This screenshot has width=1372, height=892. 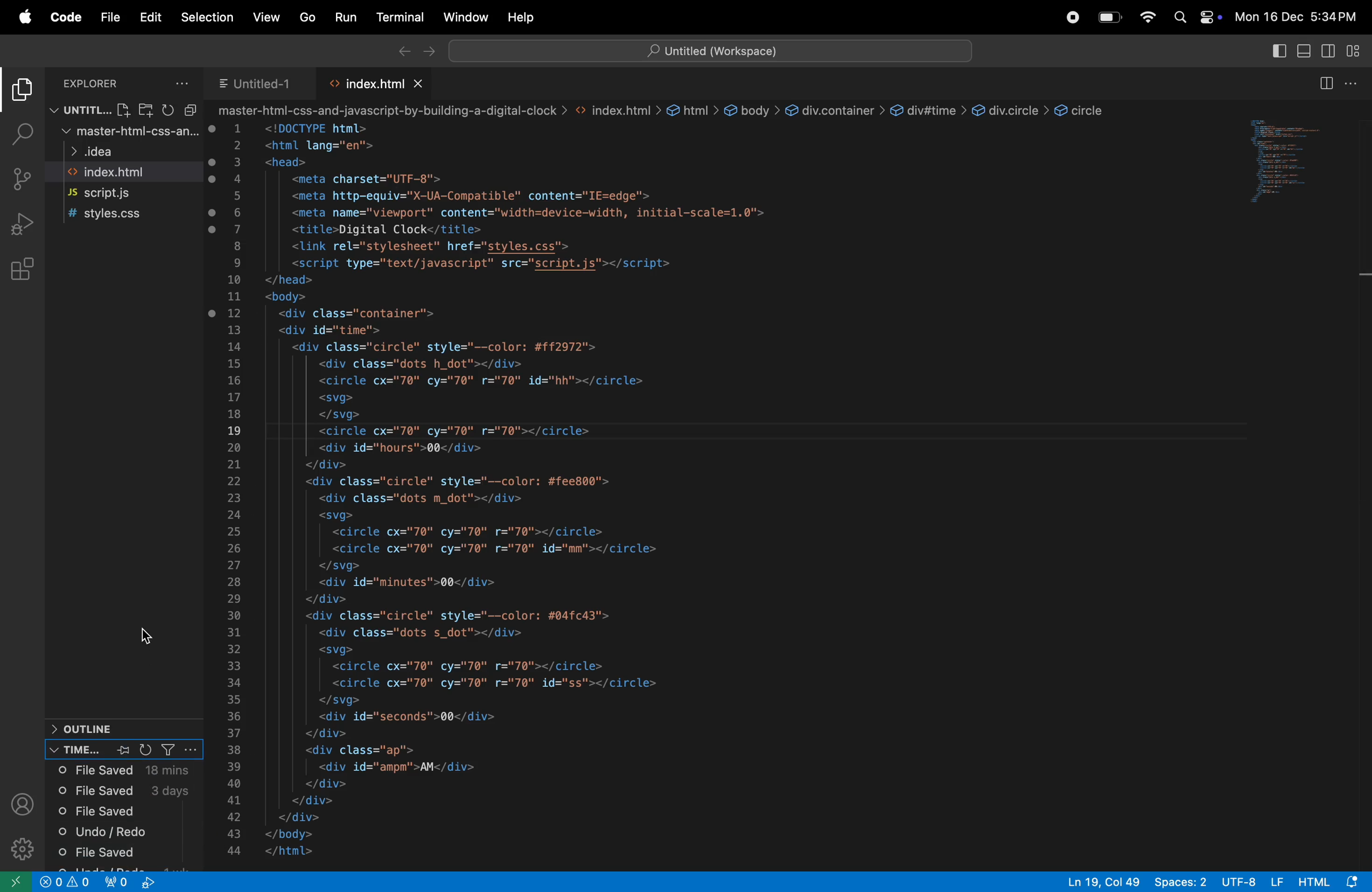 What do you see at coordinates (318, 128) in the screenshot?
I see `<!DOCTYPE html>` at bounding box center [318, 128].